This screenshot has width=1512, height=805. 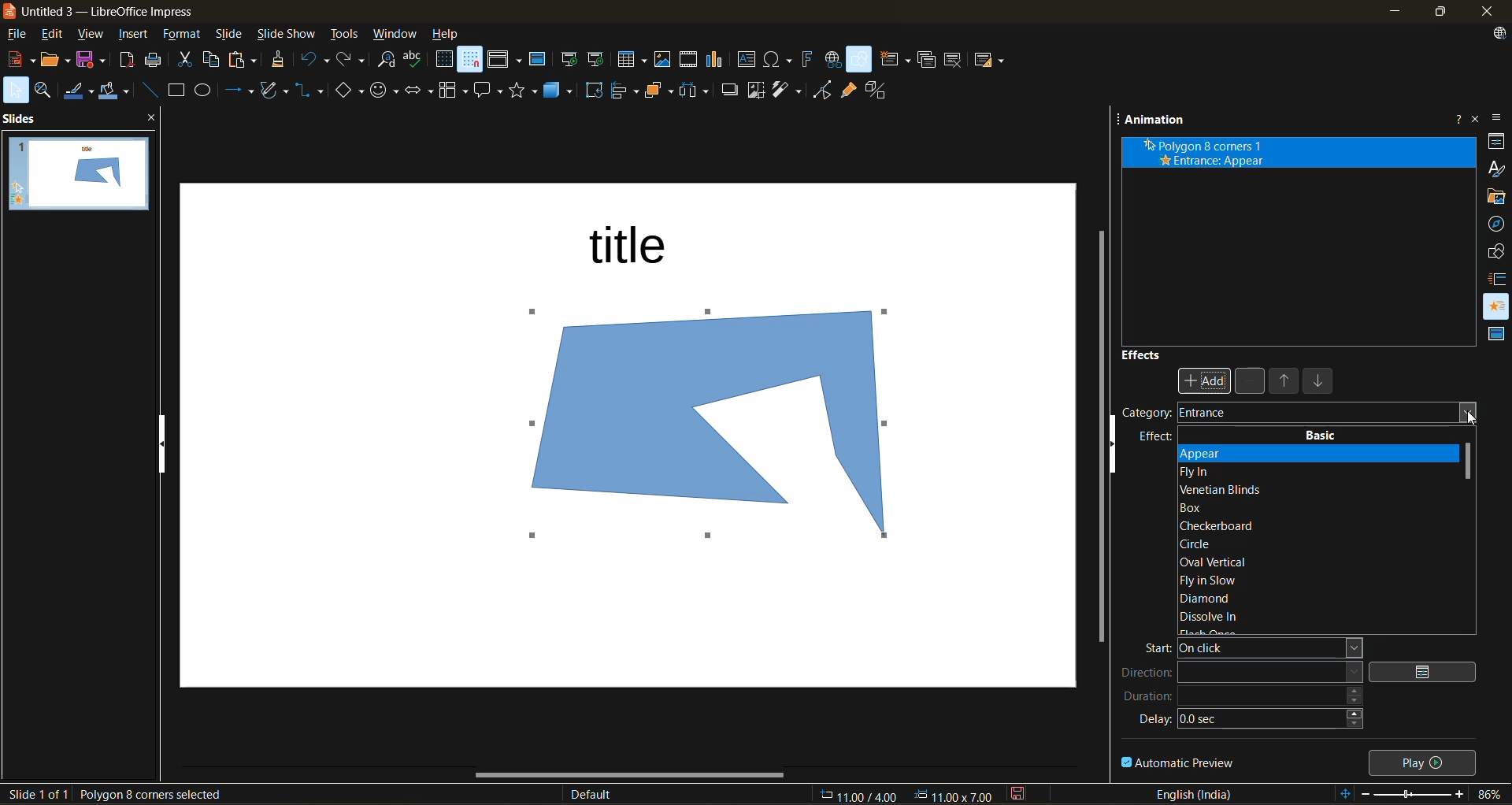 I want to click on remove effect, so click(x=1253, y=382).